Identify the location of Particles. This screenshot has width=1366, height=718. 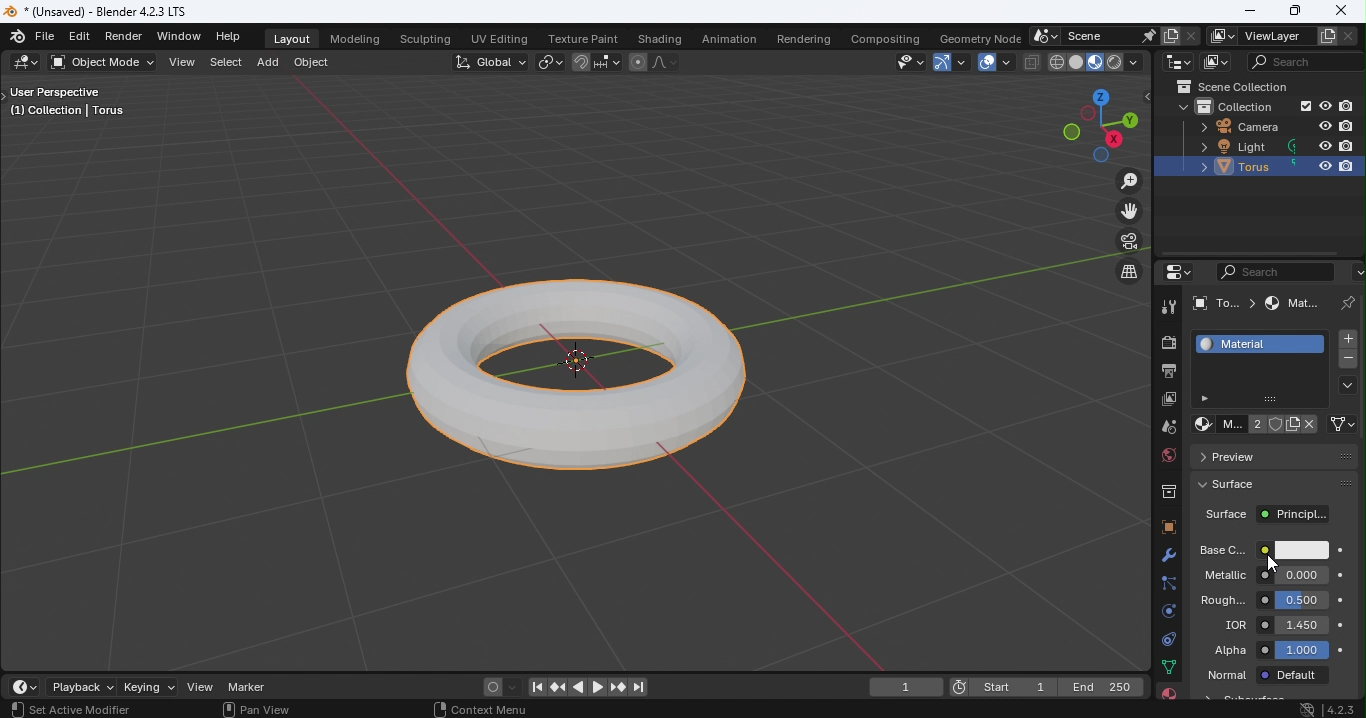
(1171, 584).